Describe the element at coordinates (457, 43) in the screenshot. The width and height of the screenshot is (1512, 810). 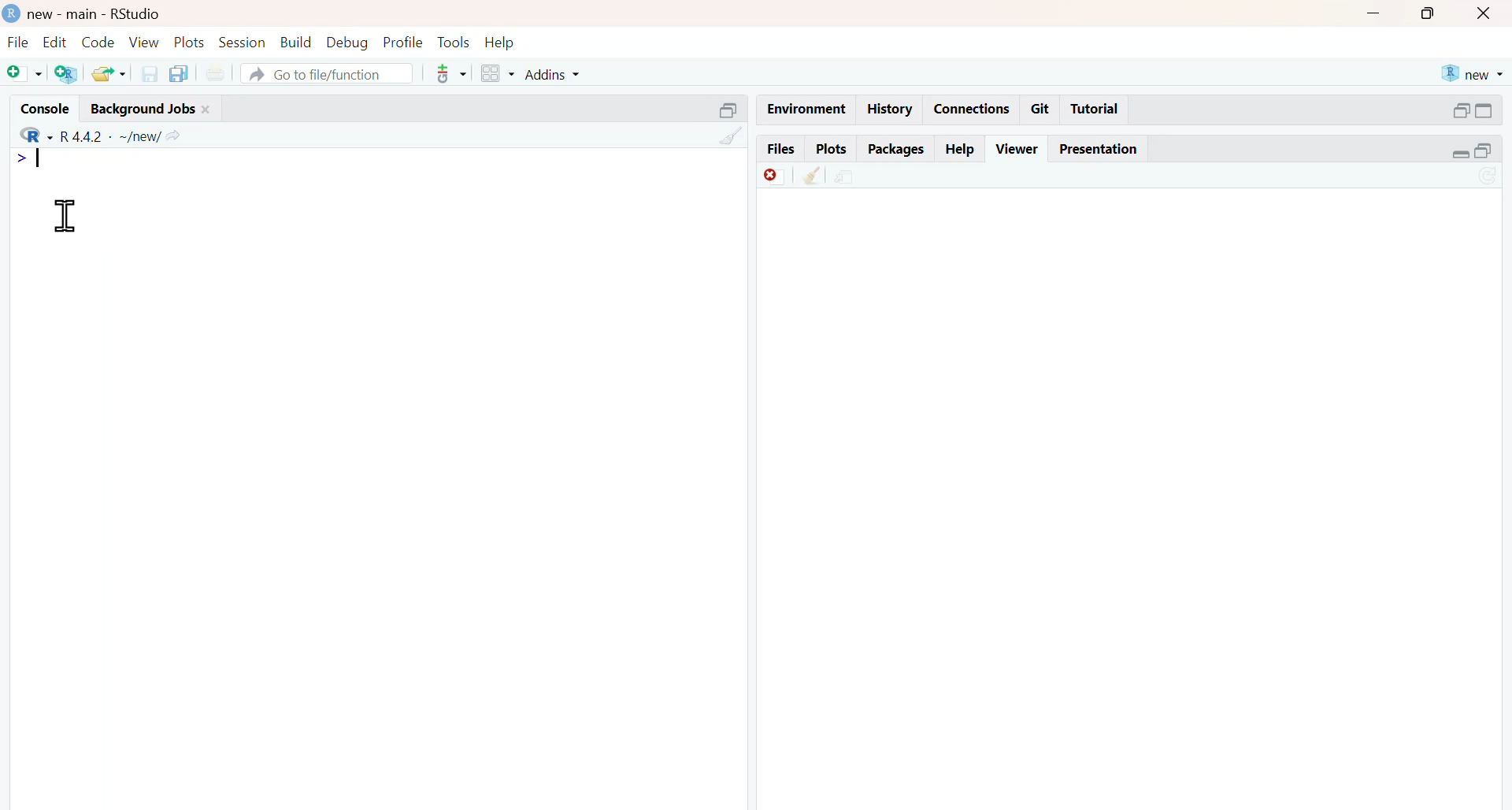
I see `tools` at that location.